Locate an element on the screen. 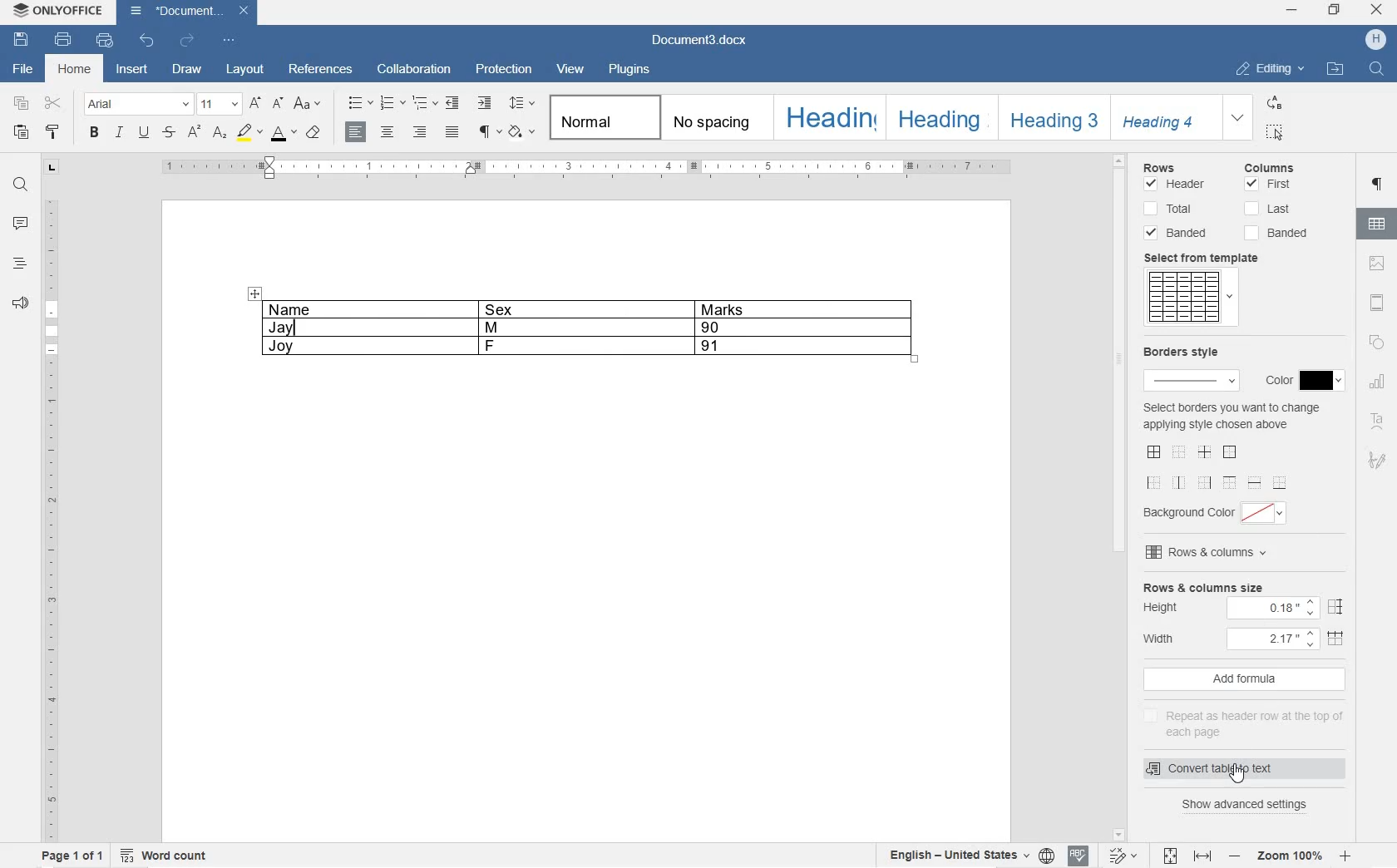 Image resolution: width=1397 pixels, height=868 pixels. FIND is located at coordinates (1376, 70).